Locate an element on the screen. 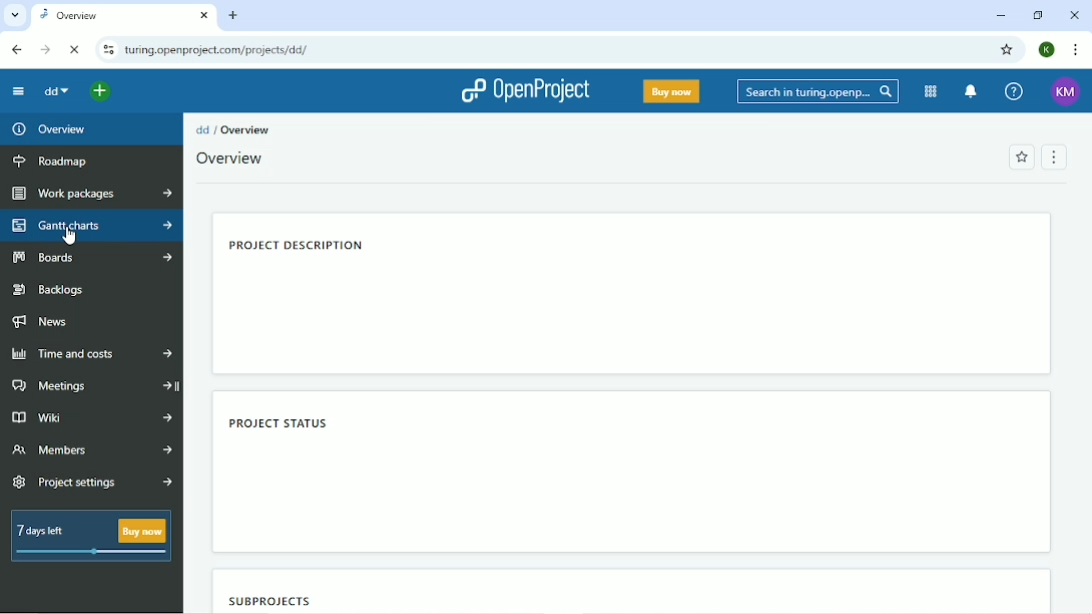  Site is located at coordinates (223, 51).